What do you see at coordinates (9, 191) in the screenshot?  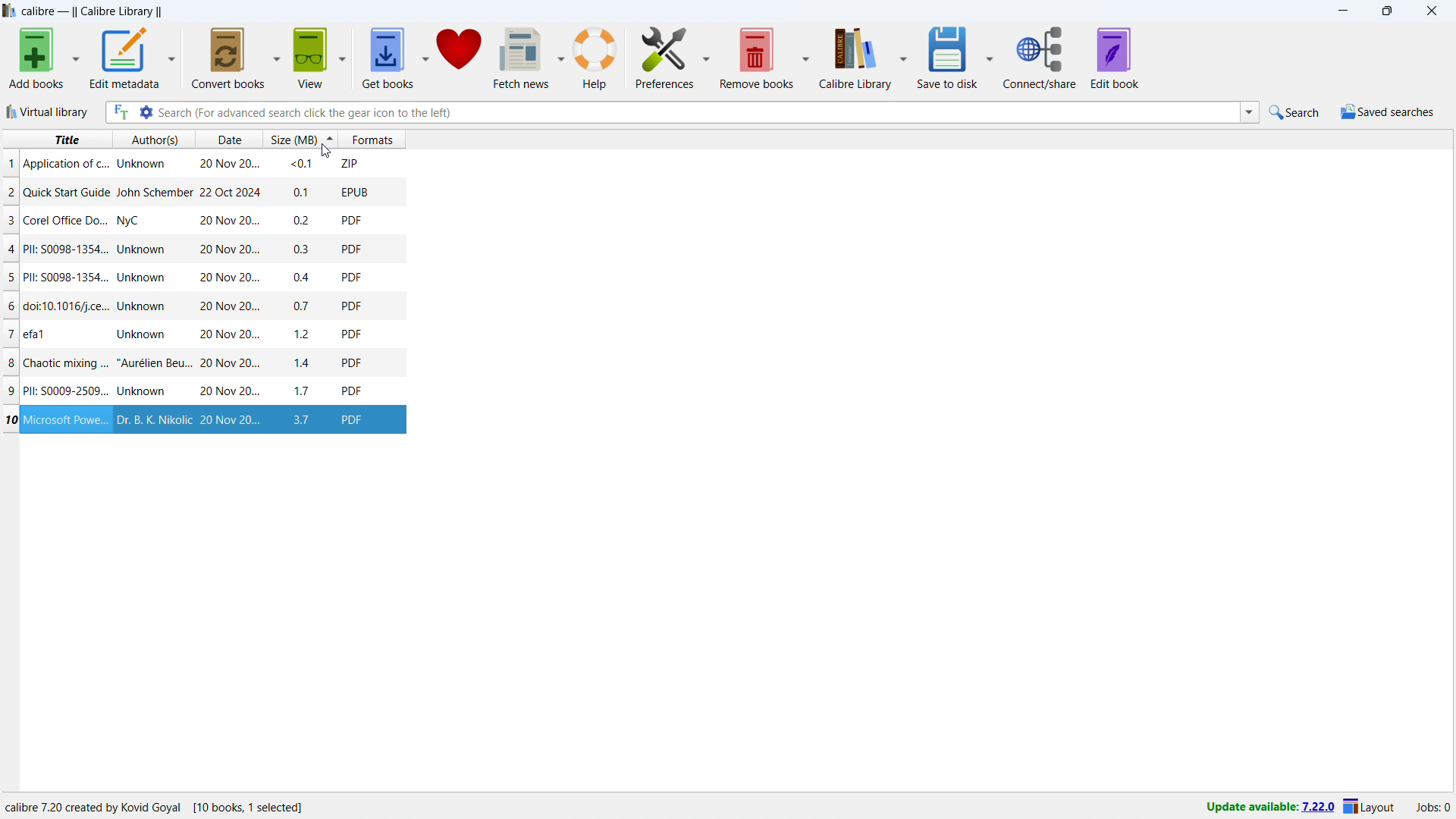 I see `2` at bounding box center [9, 191].